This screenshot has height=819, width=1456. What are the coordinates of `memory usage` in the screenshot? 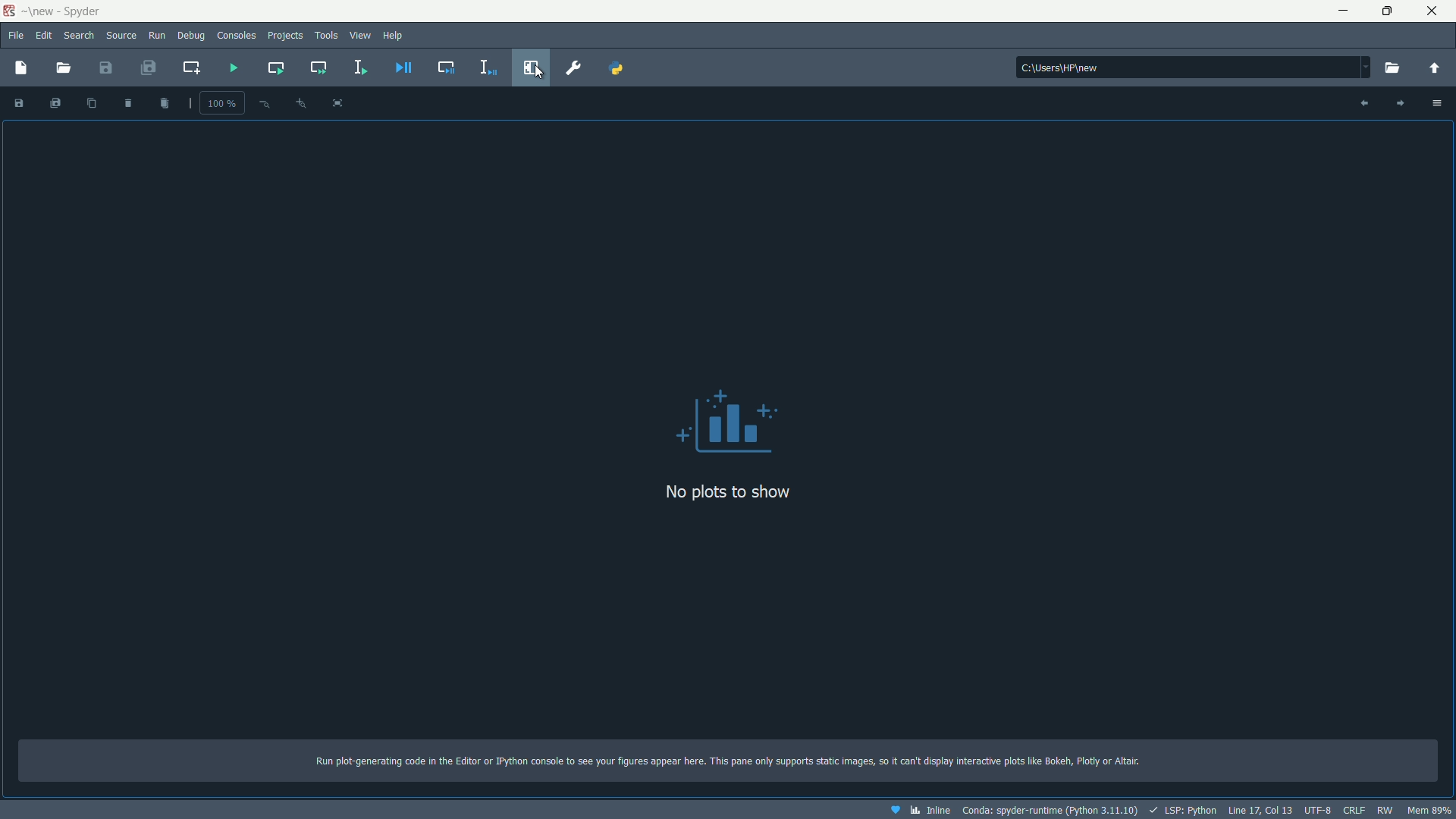 It's located at (1429, 810).